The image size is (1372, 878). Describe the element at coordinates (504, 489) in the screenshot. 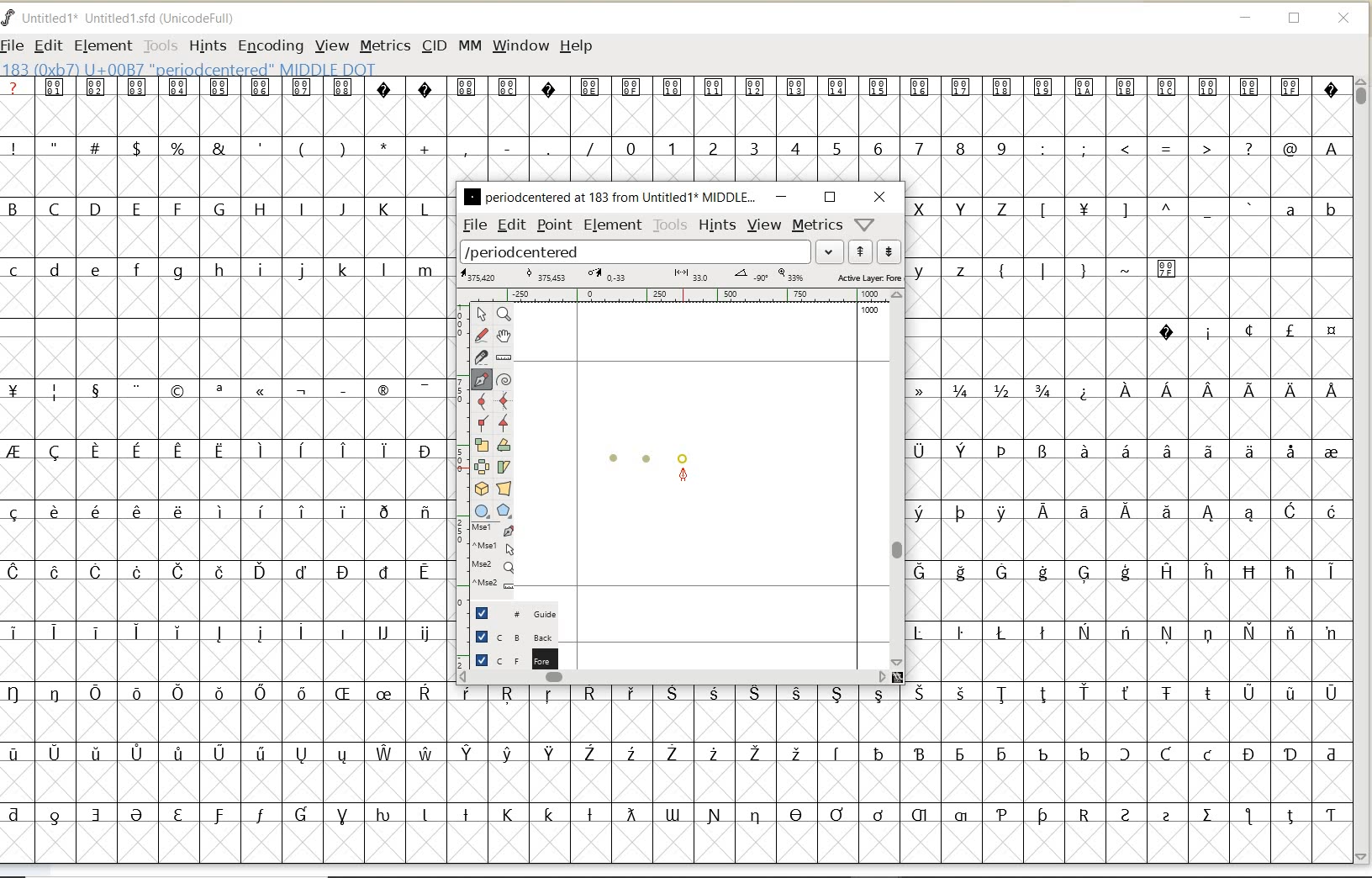

I see `perform a perspective transformation on the selection` at that location.